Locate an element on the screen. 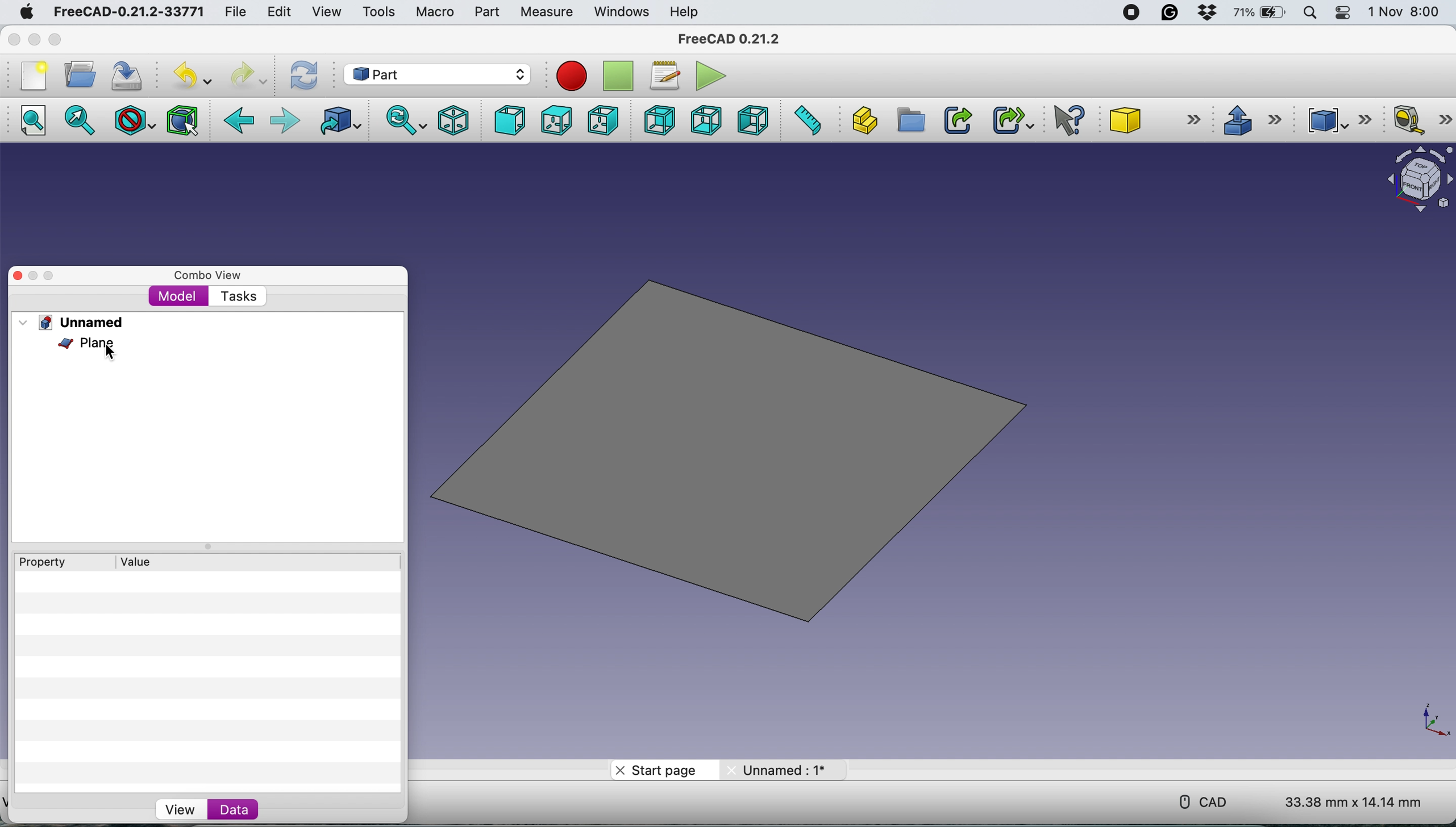  help is located at coordinates (685, 12).